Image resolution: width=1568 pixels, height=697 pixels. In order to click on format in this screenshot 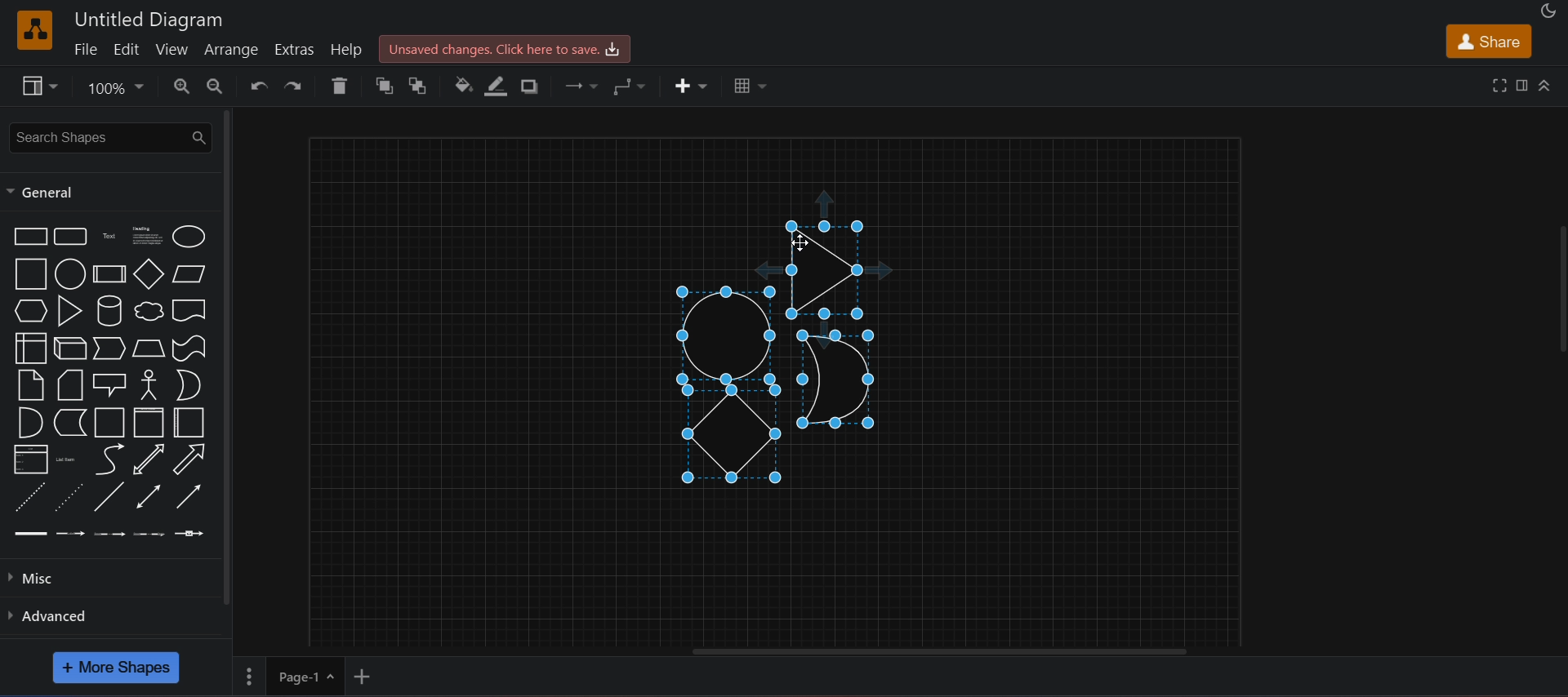, I will do `click(1522, 85)`.